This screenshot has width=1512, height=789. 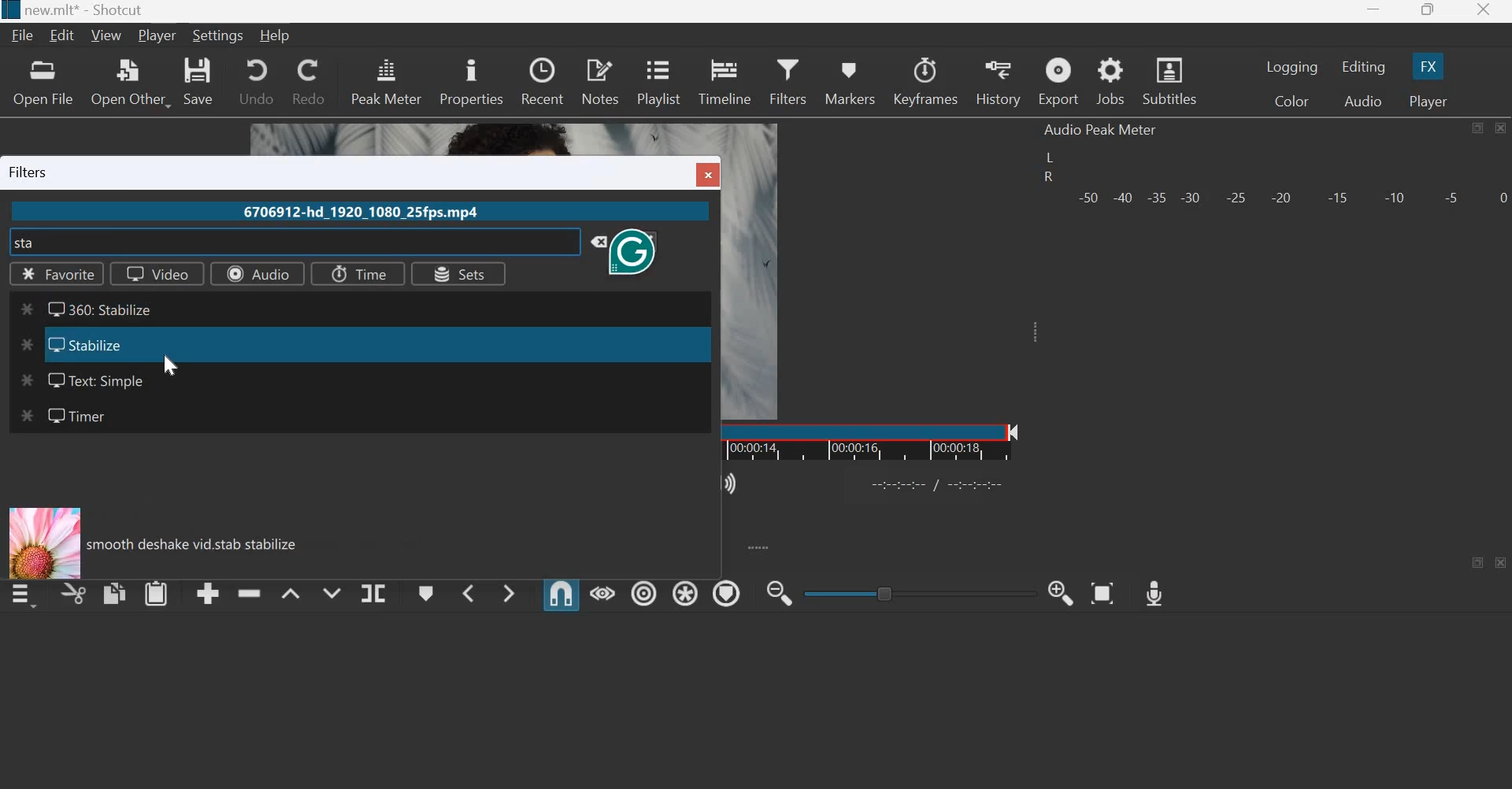 What do you see at coordinates (61, 415) in the screenshot?
I see `Timer` at bounding box center [61, 415].